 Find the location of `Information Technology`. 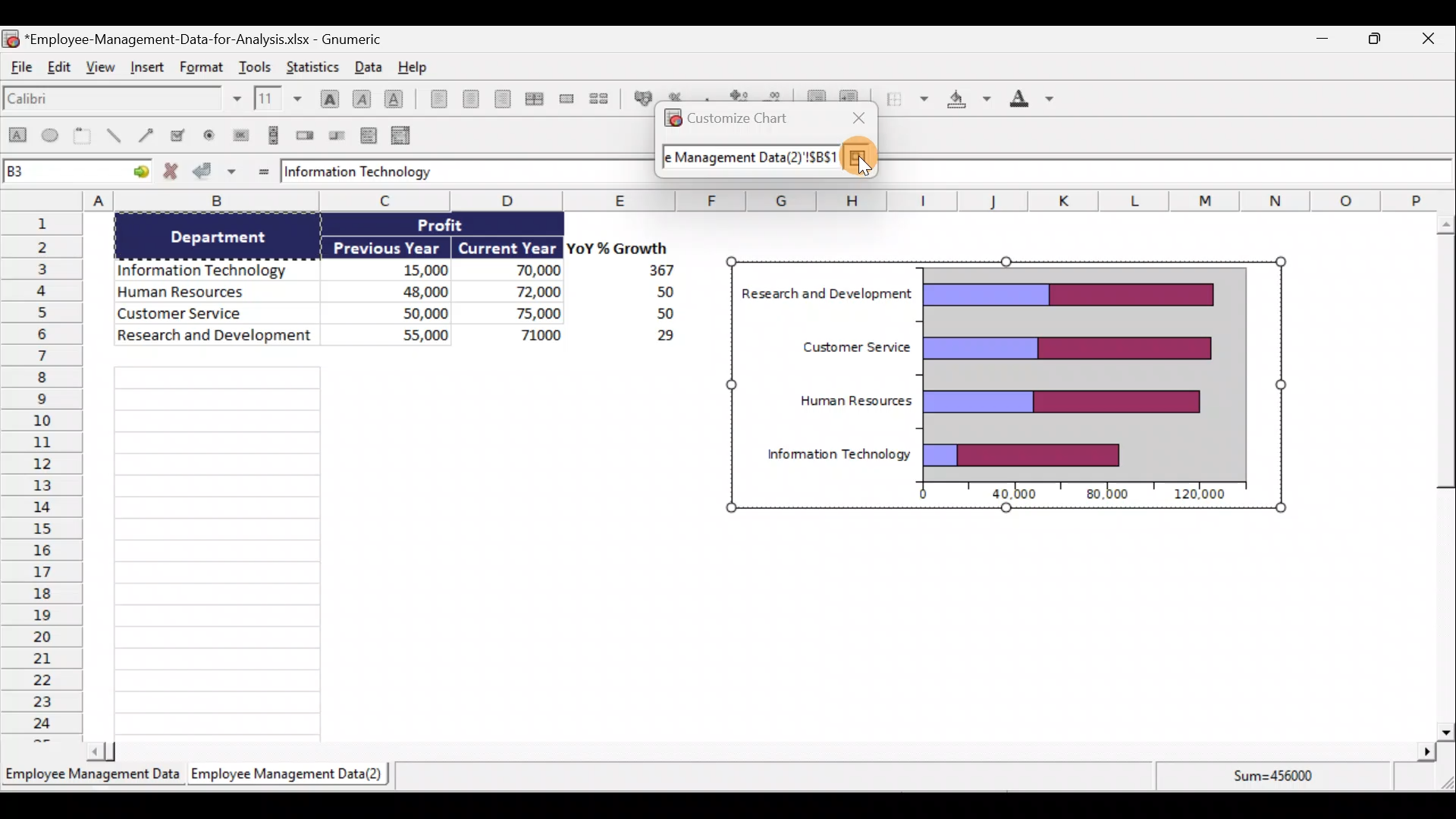

Information Technology is located at coordinates (209, 266).